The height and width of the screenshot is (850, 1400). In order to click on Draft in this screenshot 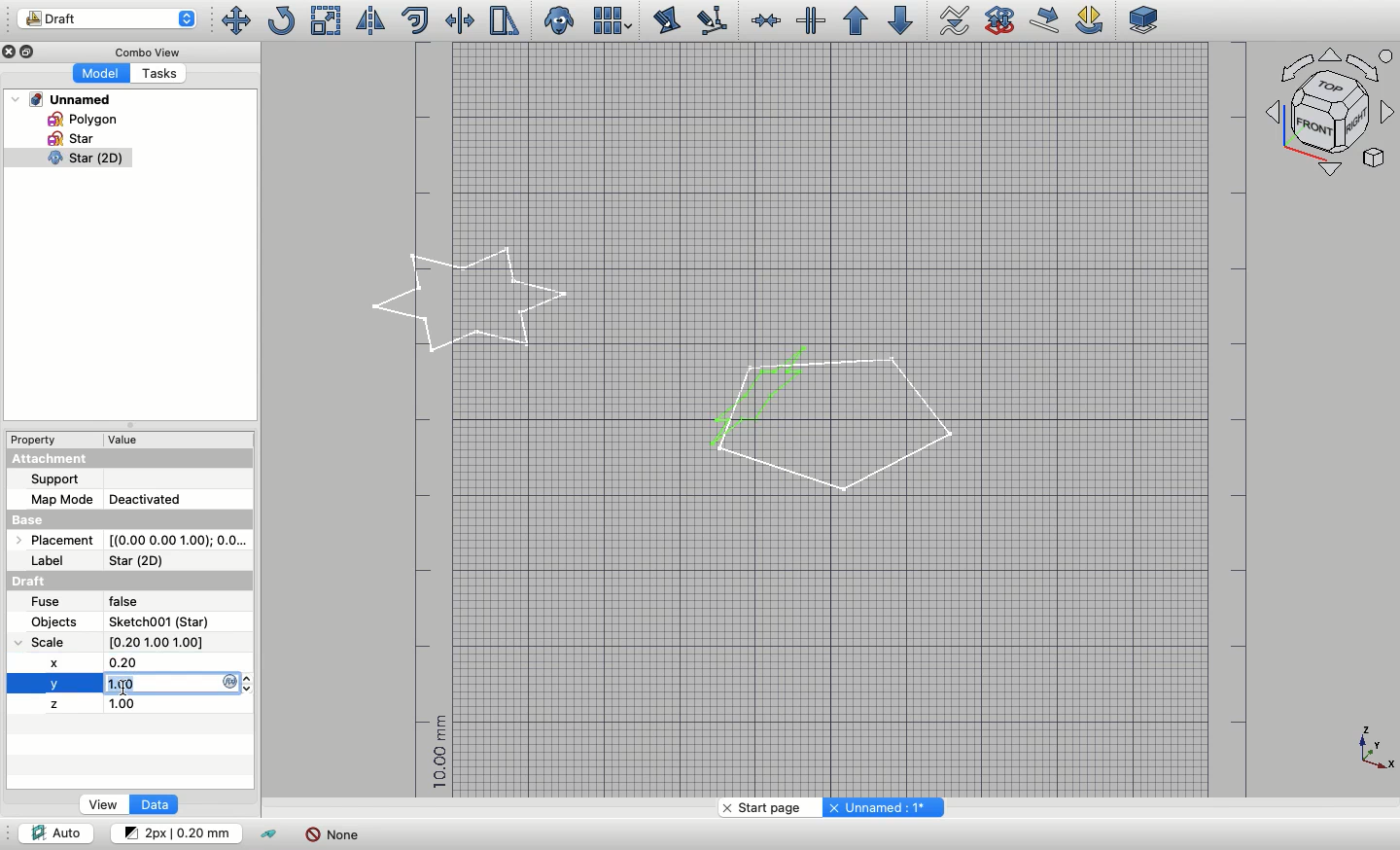, I will do `click(107, 18)`.